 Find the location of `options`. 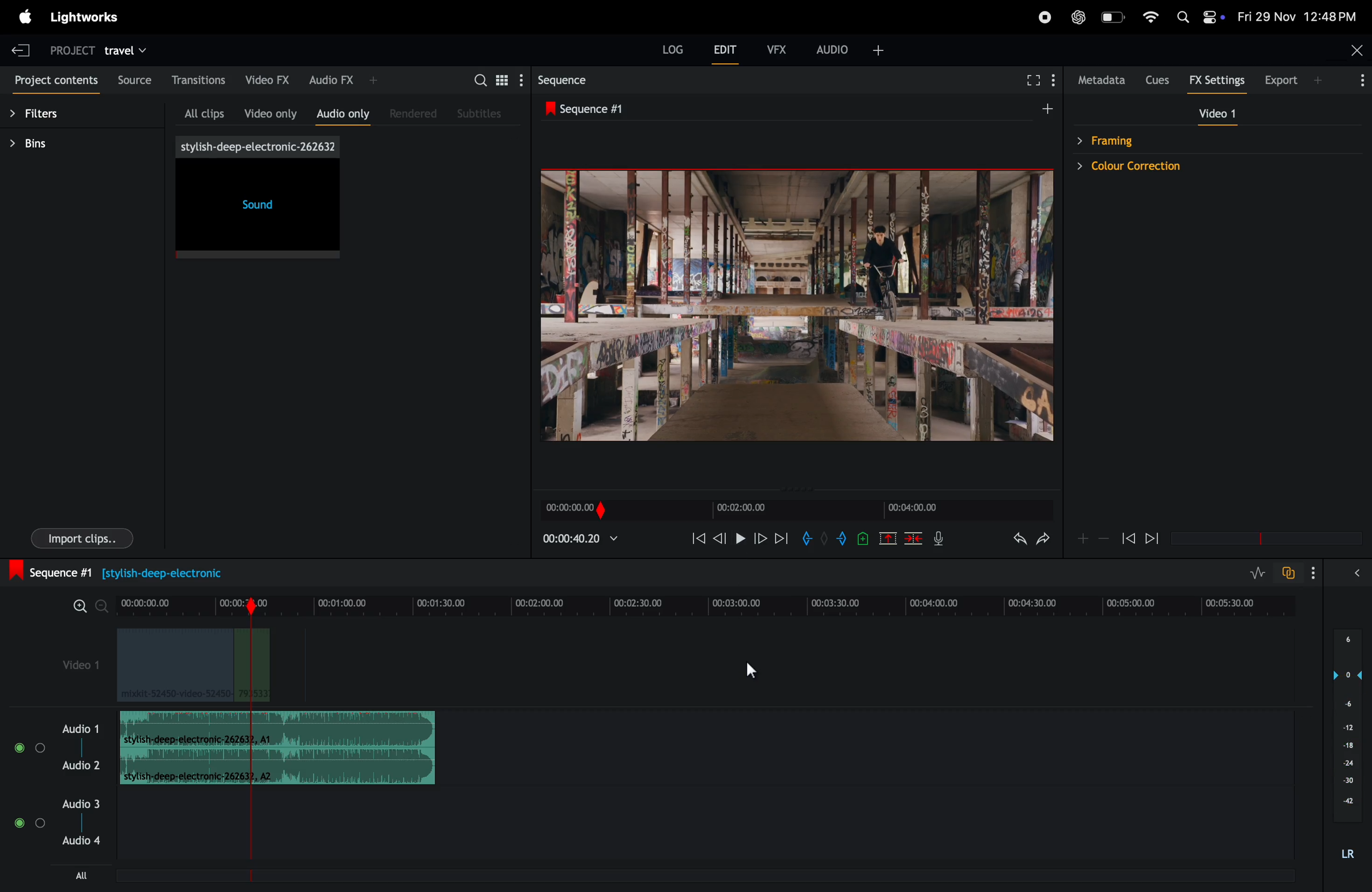

options is located at coordinates (1357, 82).